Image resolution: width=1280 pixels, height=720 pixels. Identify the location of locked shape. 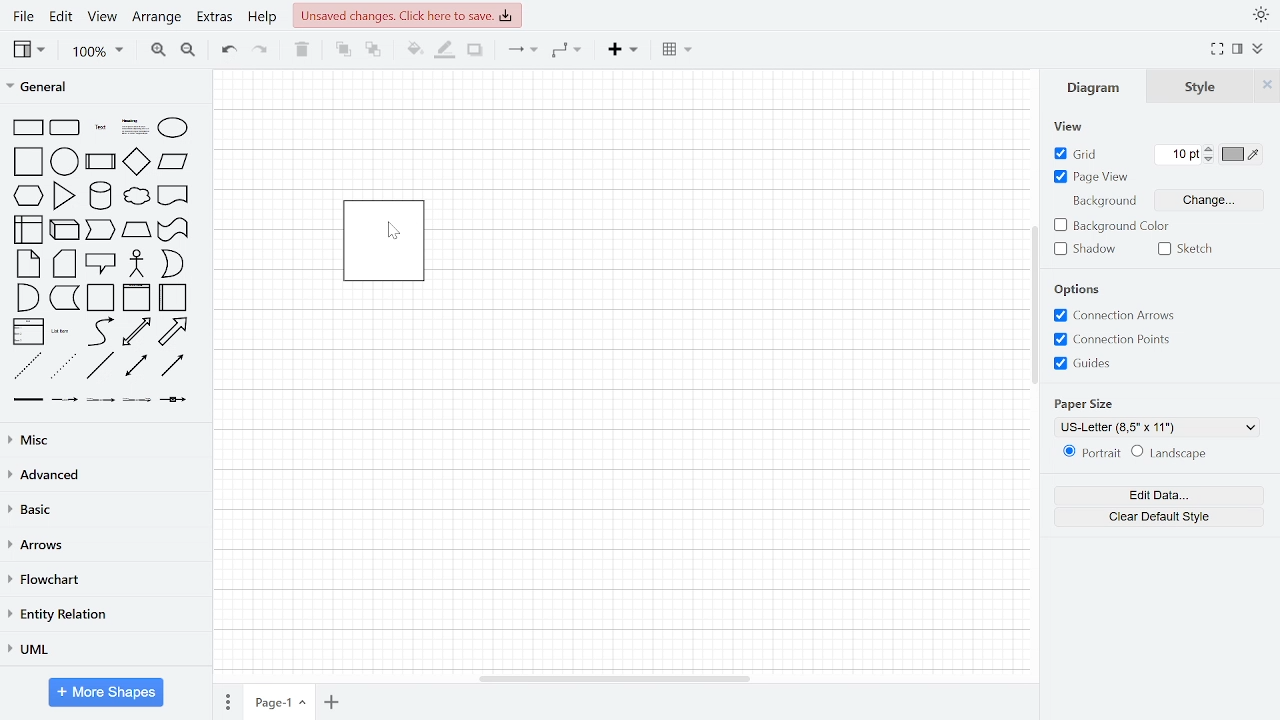
(401, 248).